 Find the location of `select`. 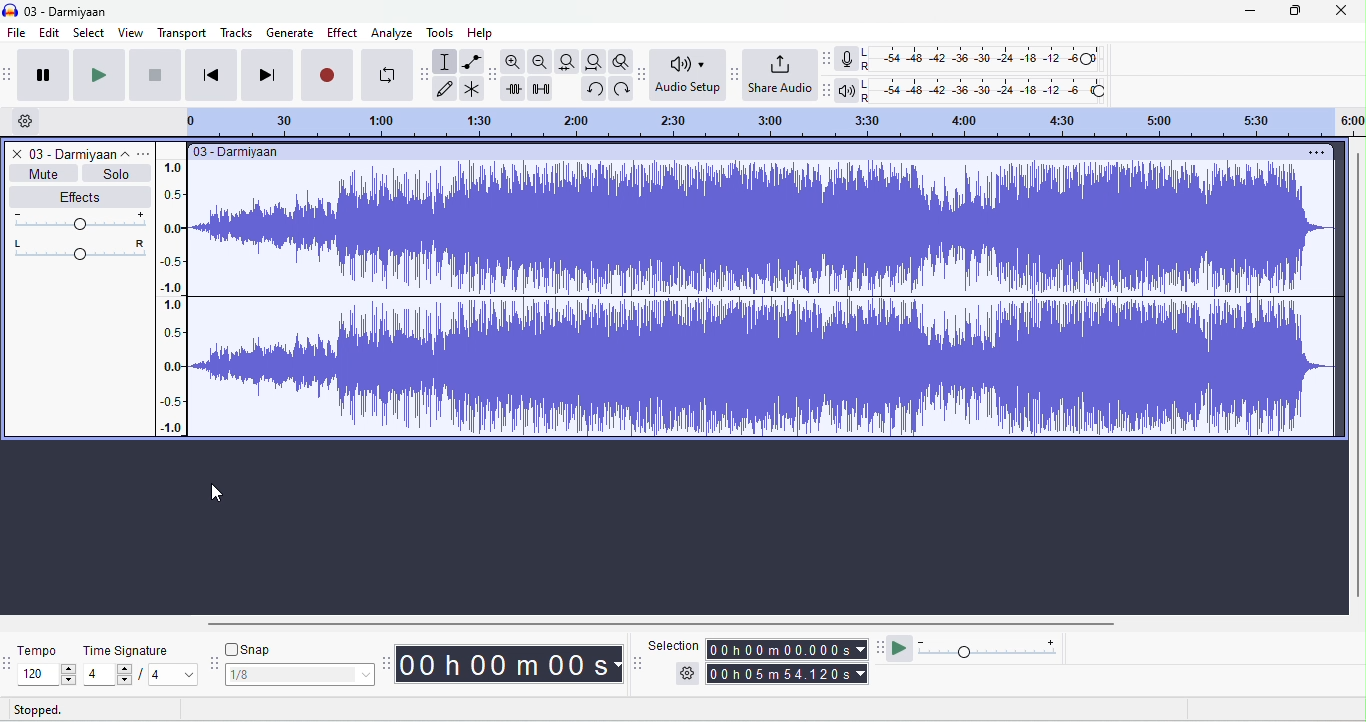

select is located at coordinates (90, 32).